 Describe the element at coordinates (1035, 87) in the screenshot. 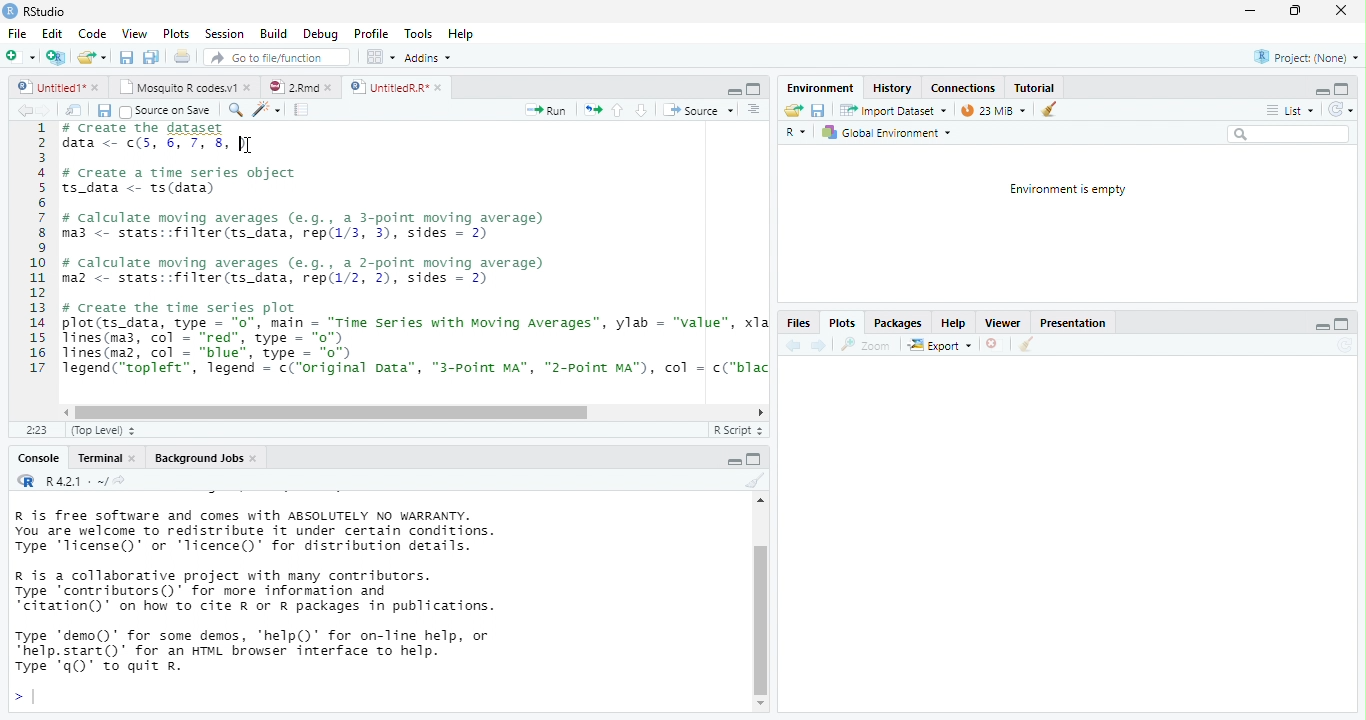

I see `Tutorial` at that location.